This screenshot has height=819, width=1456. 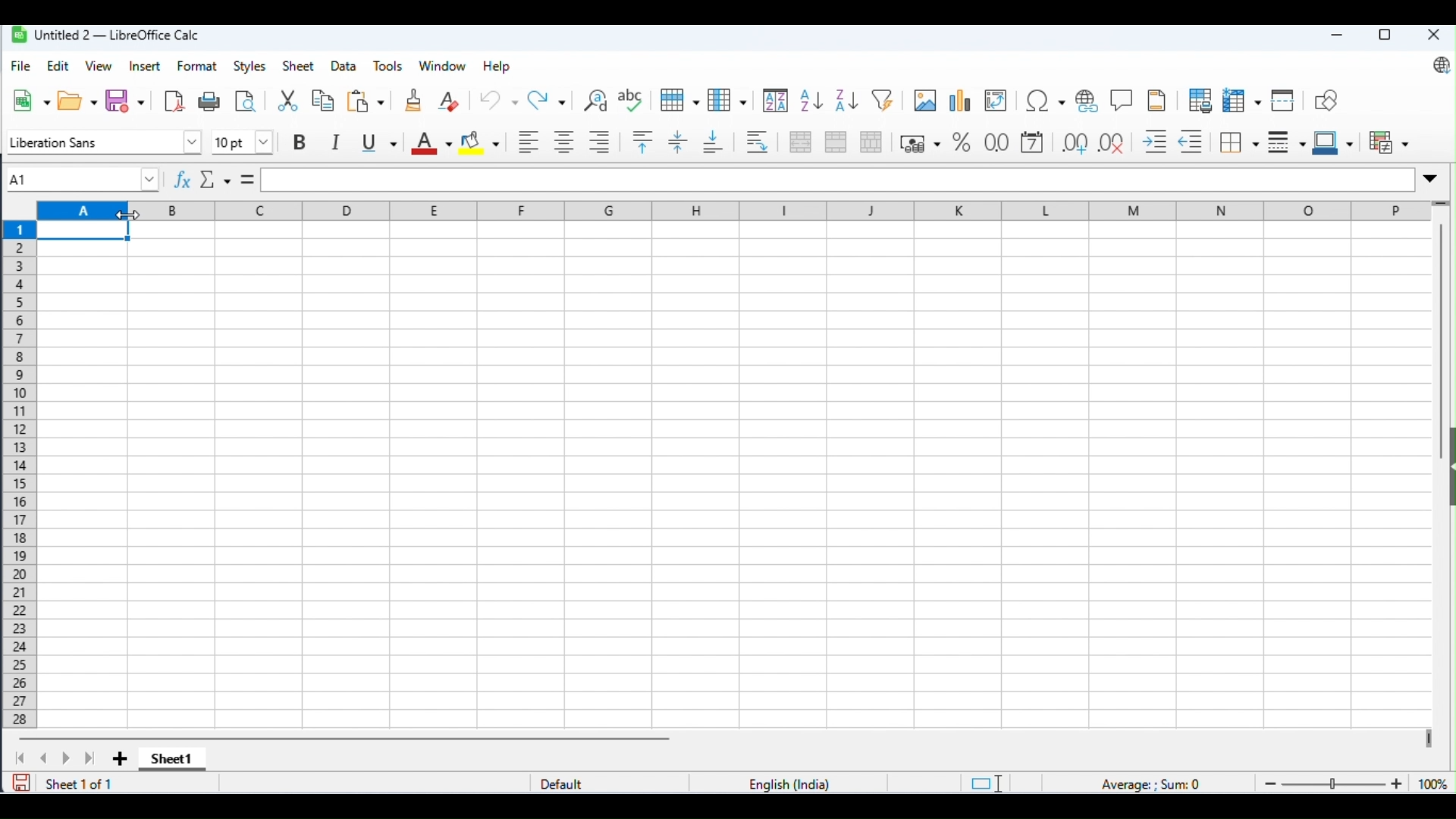 I want to click on update, so click(x=1437, y=66).